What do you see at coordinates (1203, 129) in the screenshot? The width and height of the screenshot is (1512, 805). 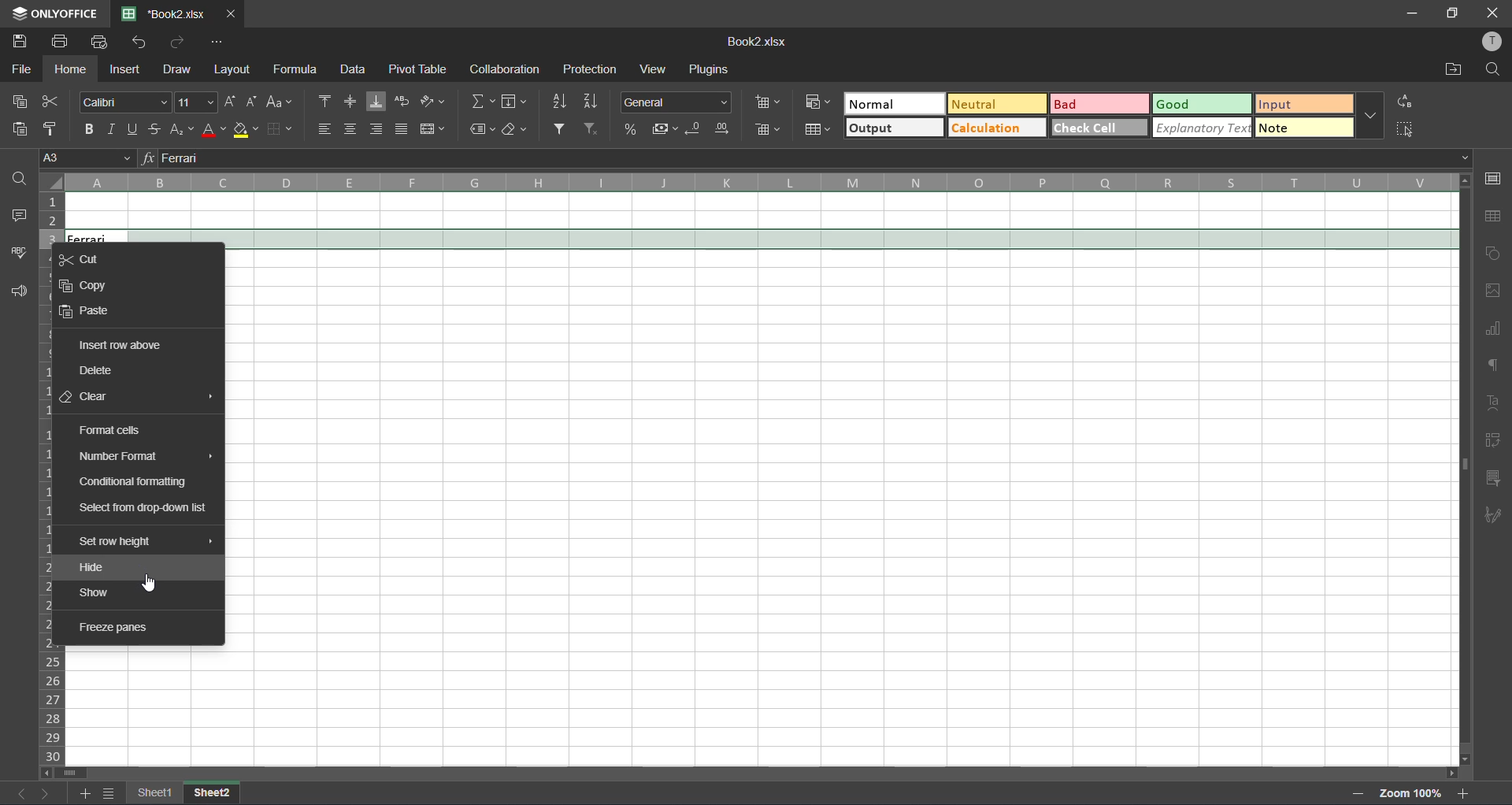 I see `explanatory text` at bounding box center [1203, 129].